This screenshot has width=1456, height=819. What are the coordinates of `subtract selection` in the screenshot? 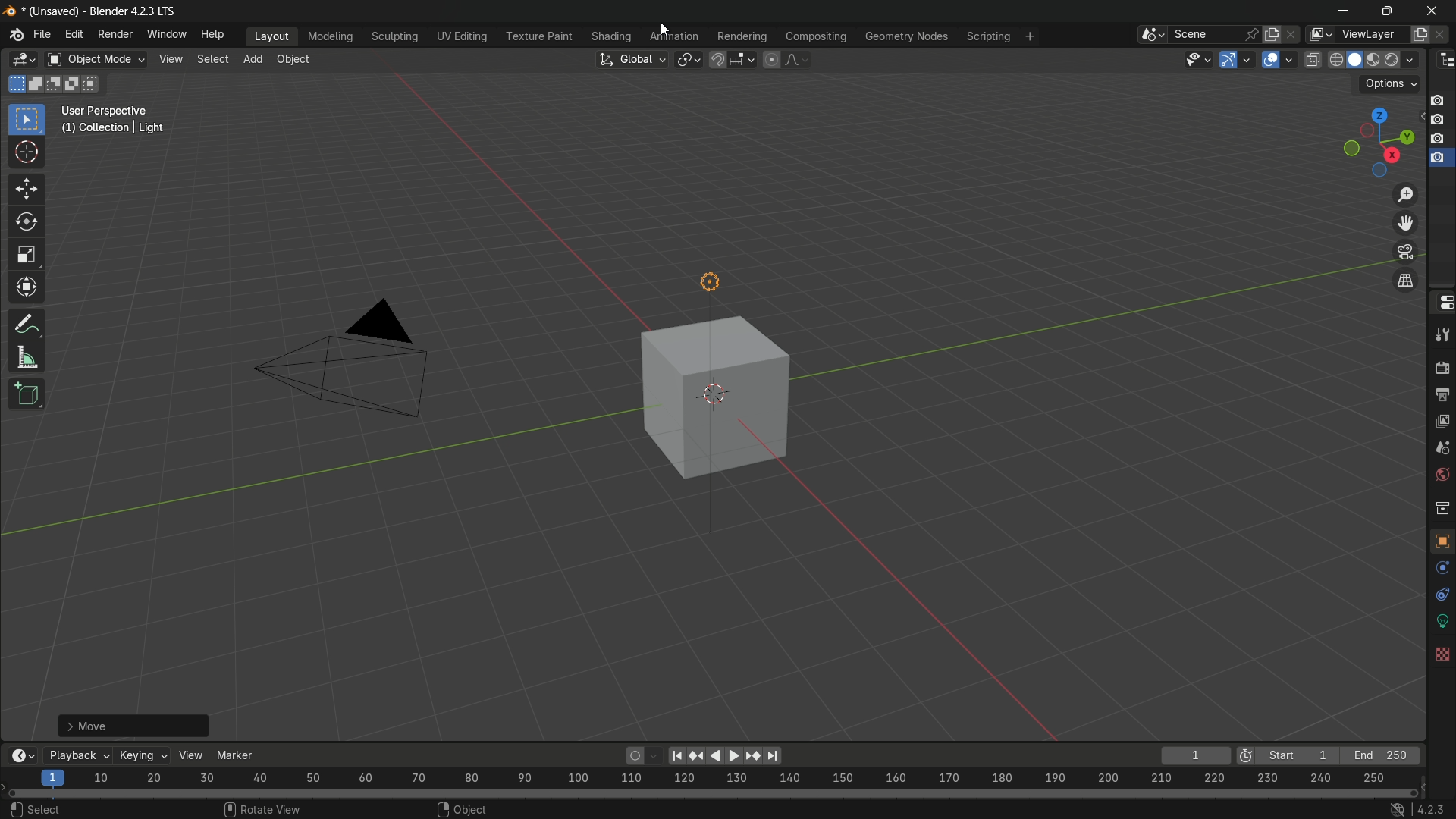 It's located at (58, 84).